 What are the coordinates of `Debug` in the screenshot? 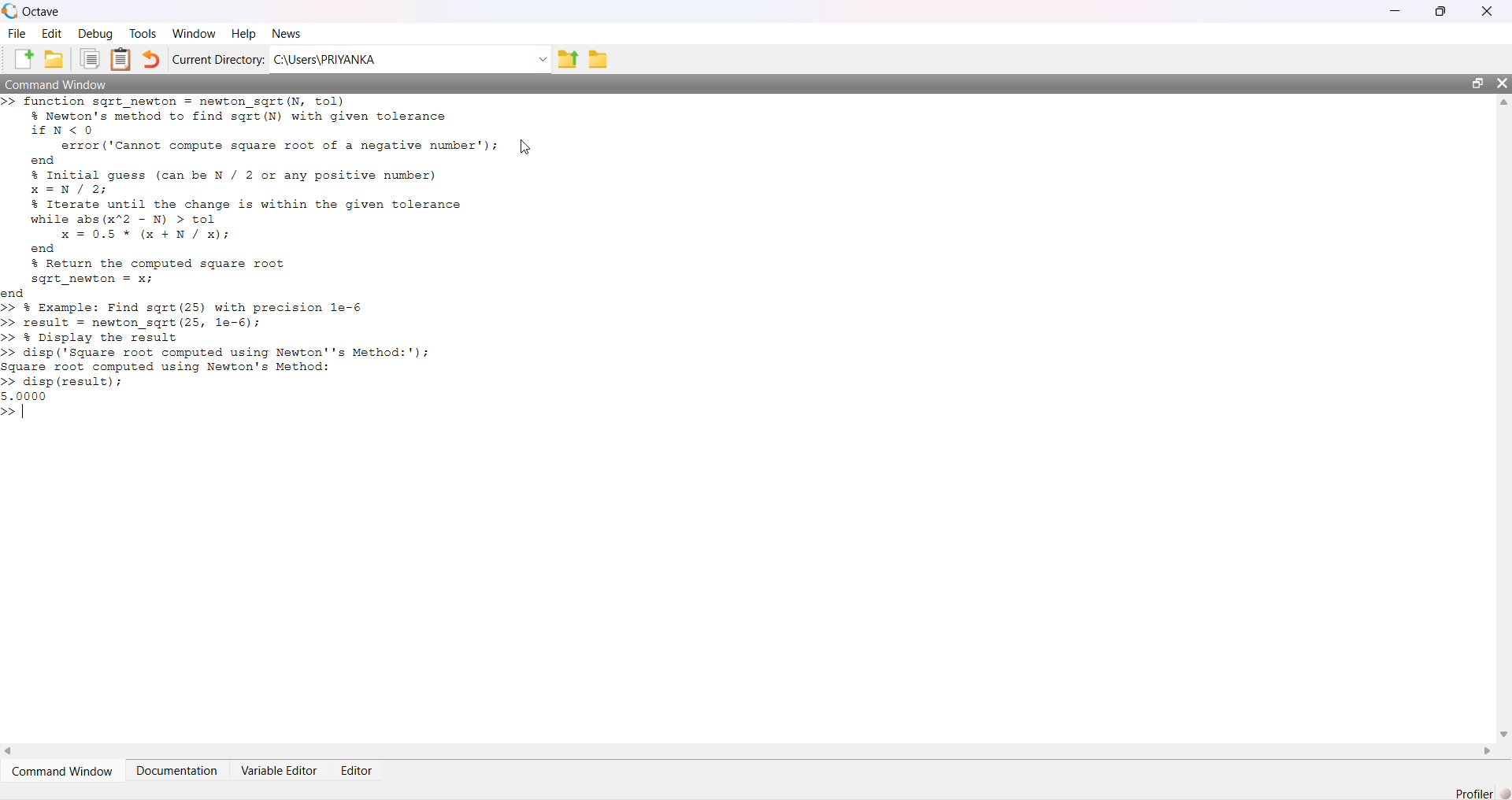 It's located at (98, 35).